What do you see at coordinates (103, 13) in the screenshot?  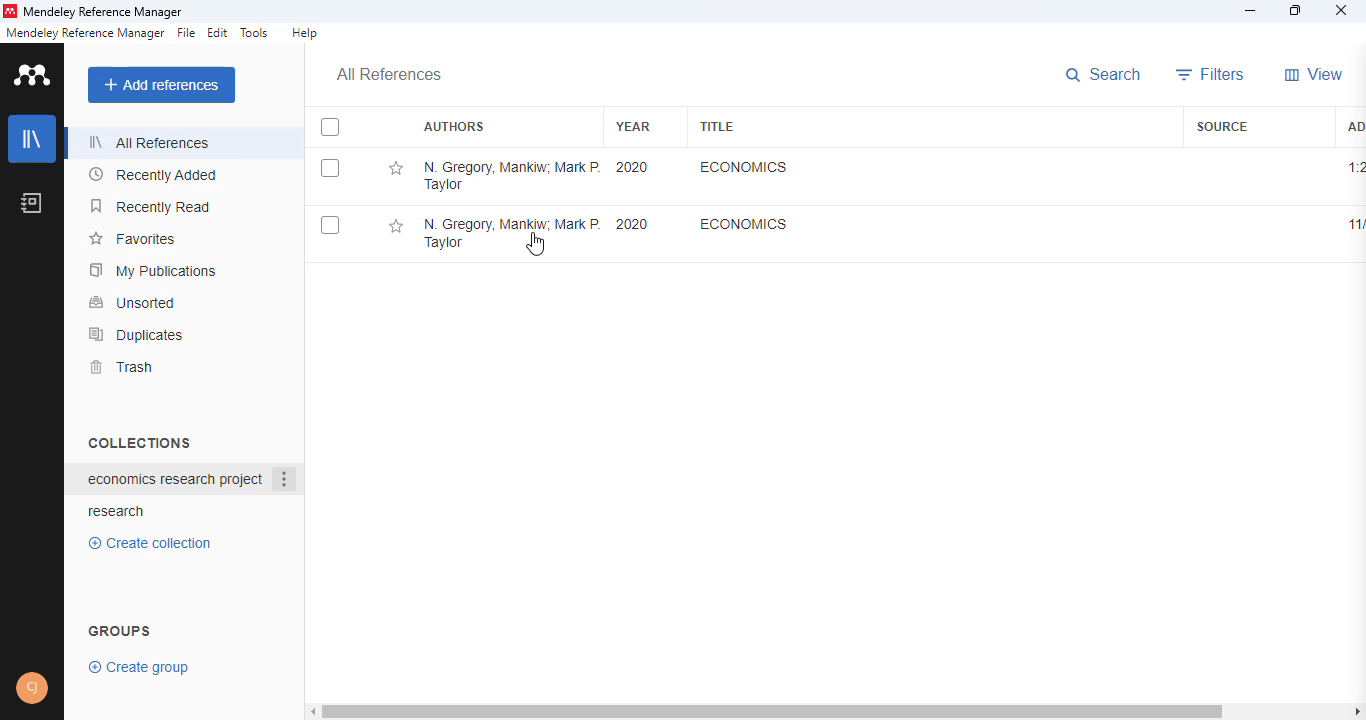 I see `mendeley reference manager` at bounding box center [103, 13].